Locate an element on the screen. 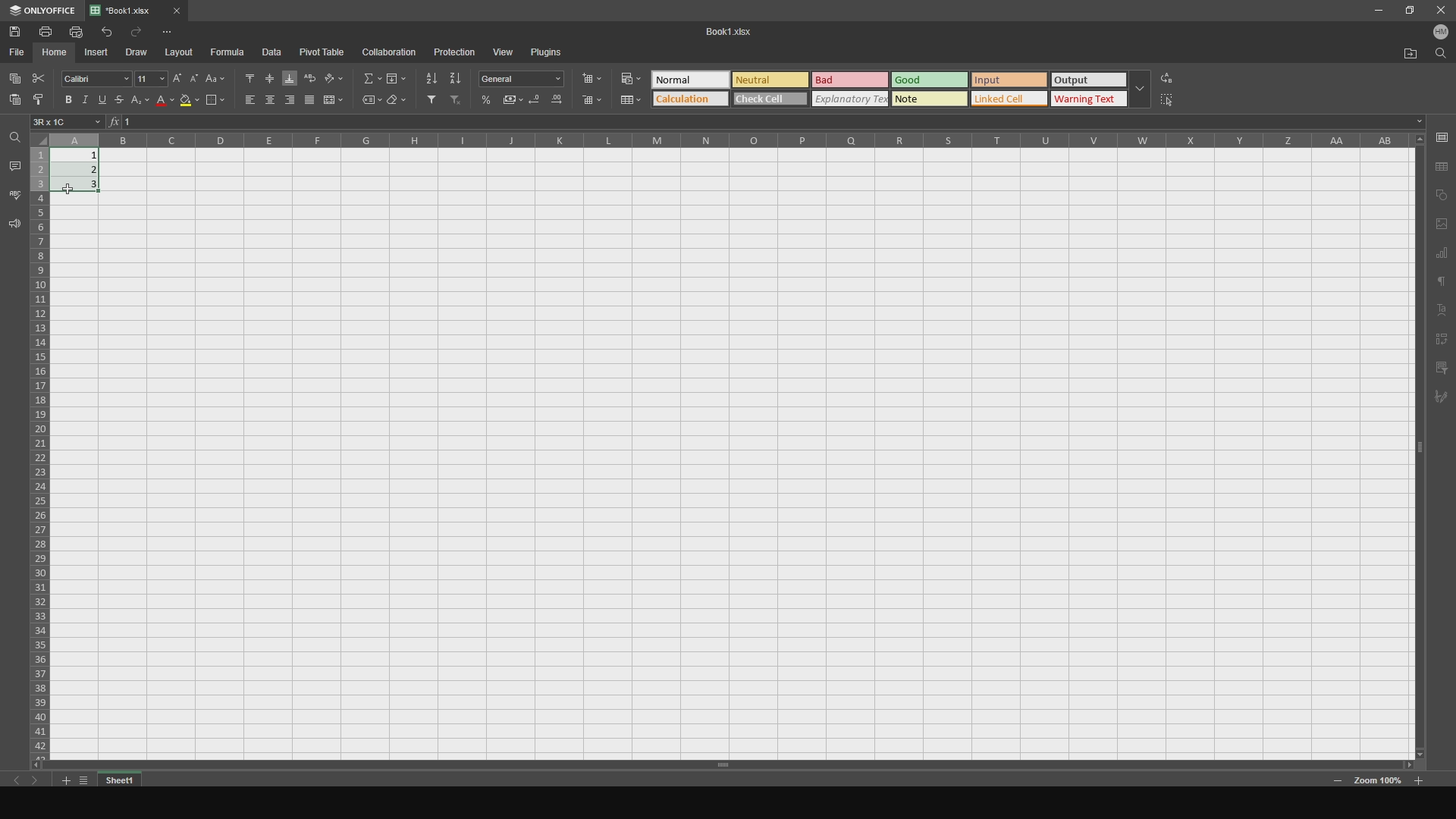  copy style is located at coordinates (40, 101).